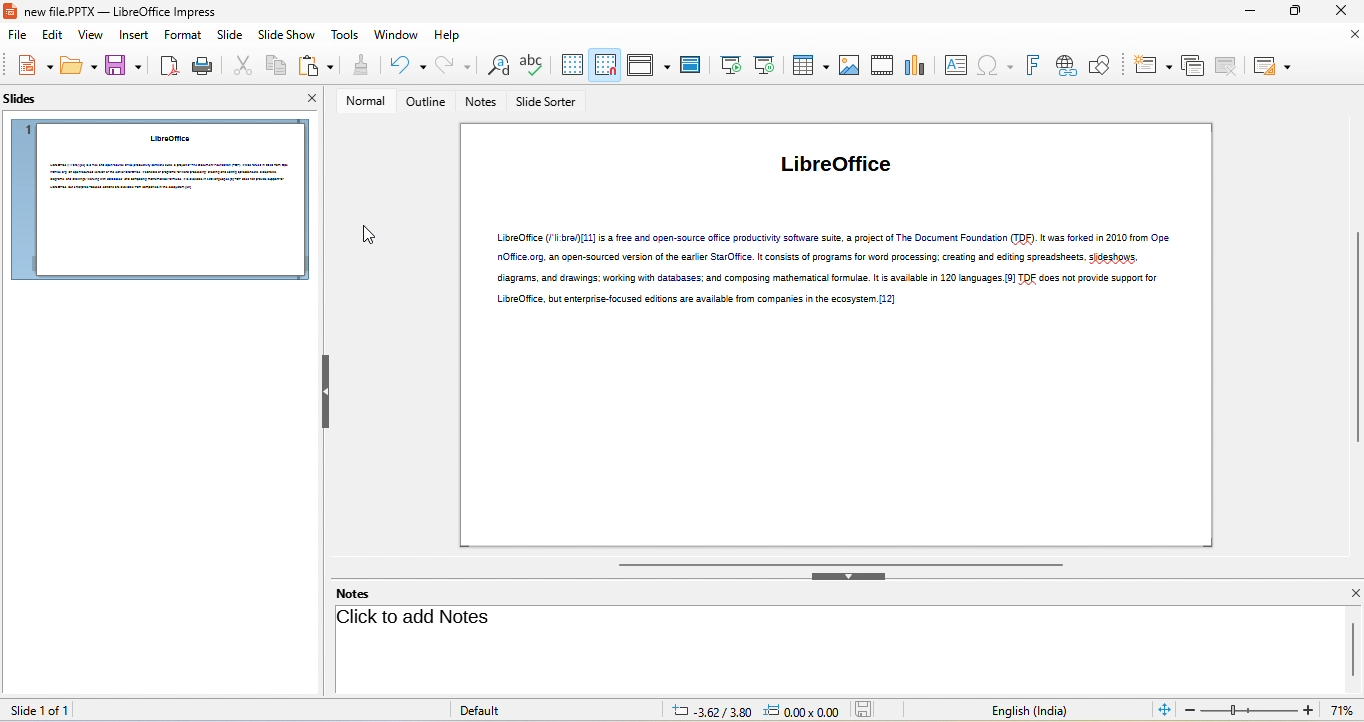 The width and height of the screenshot is (1364, 722). Describe the element at coordinates (832, 237) in the screenshot. I see `LibreOffice (li braV)[11] is a free and open-source office productivity software suite, a project of The Document Foundation (TDF). It was forked in 2010 from Ope` at that location.